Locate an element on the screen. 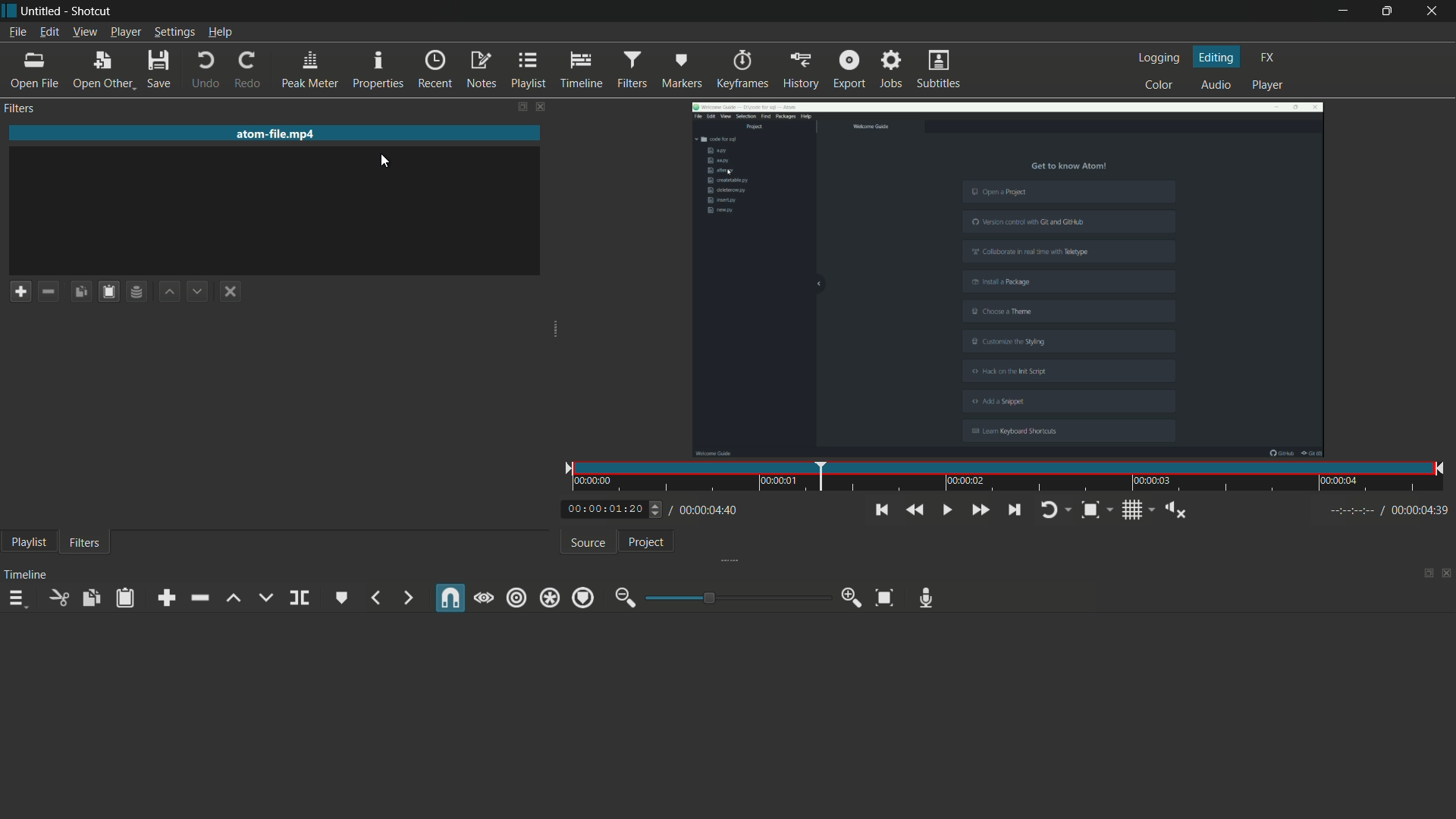  adjustment bar is located at coordinates (739, 597).